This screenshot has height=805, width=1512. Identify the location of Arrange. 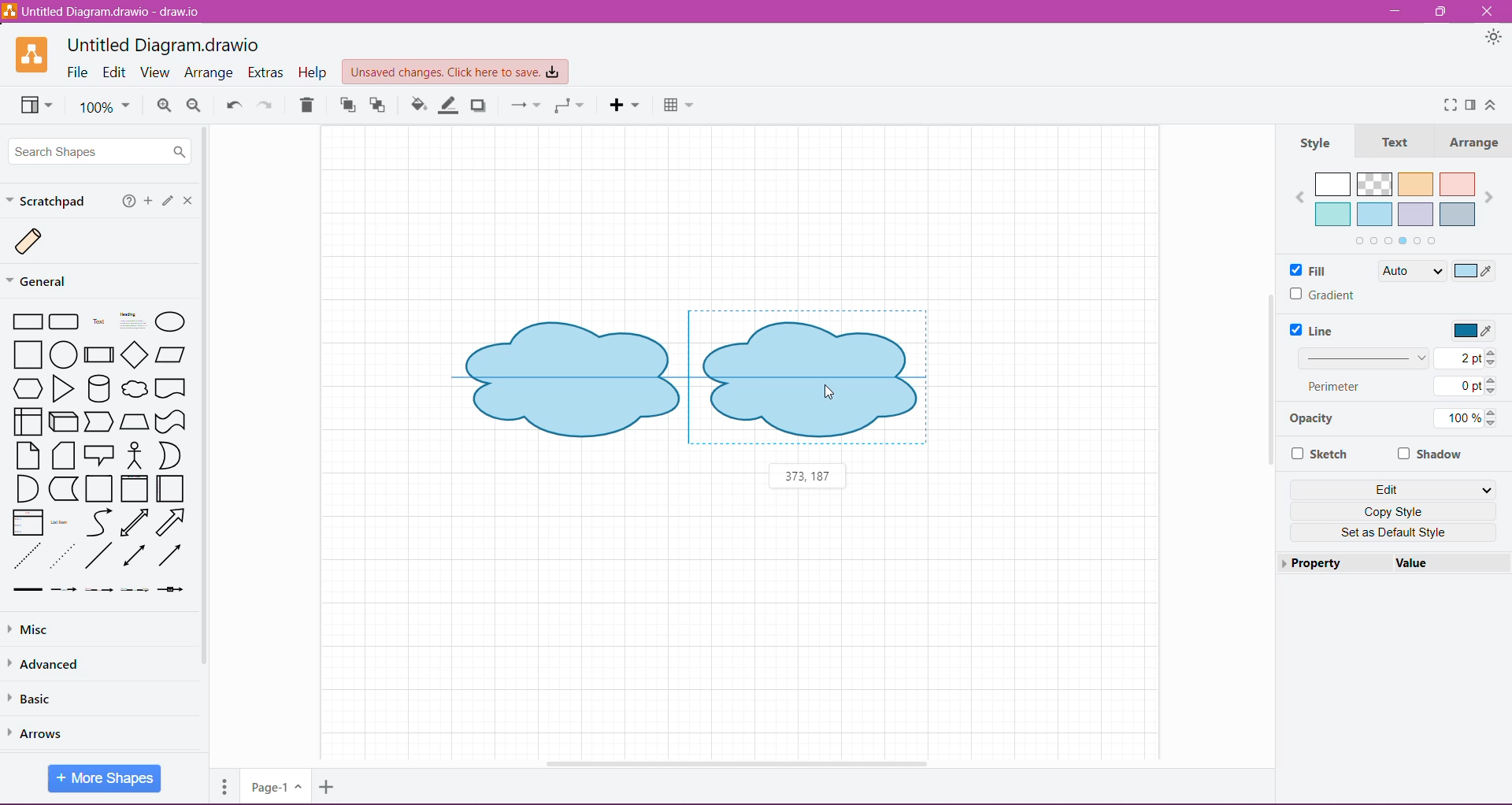
(210, 73).